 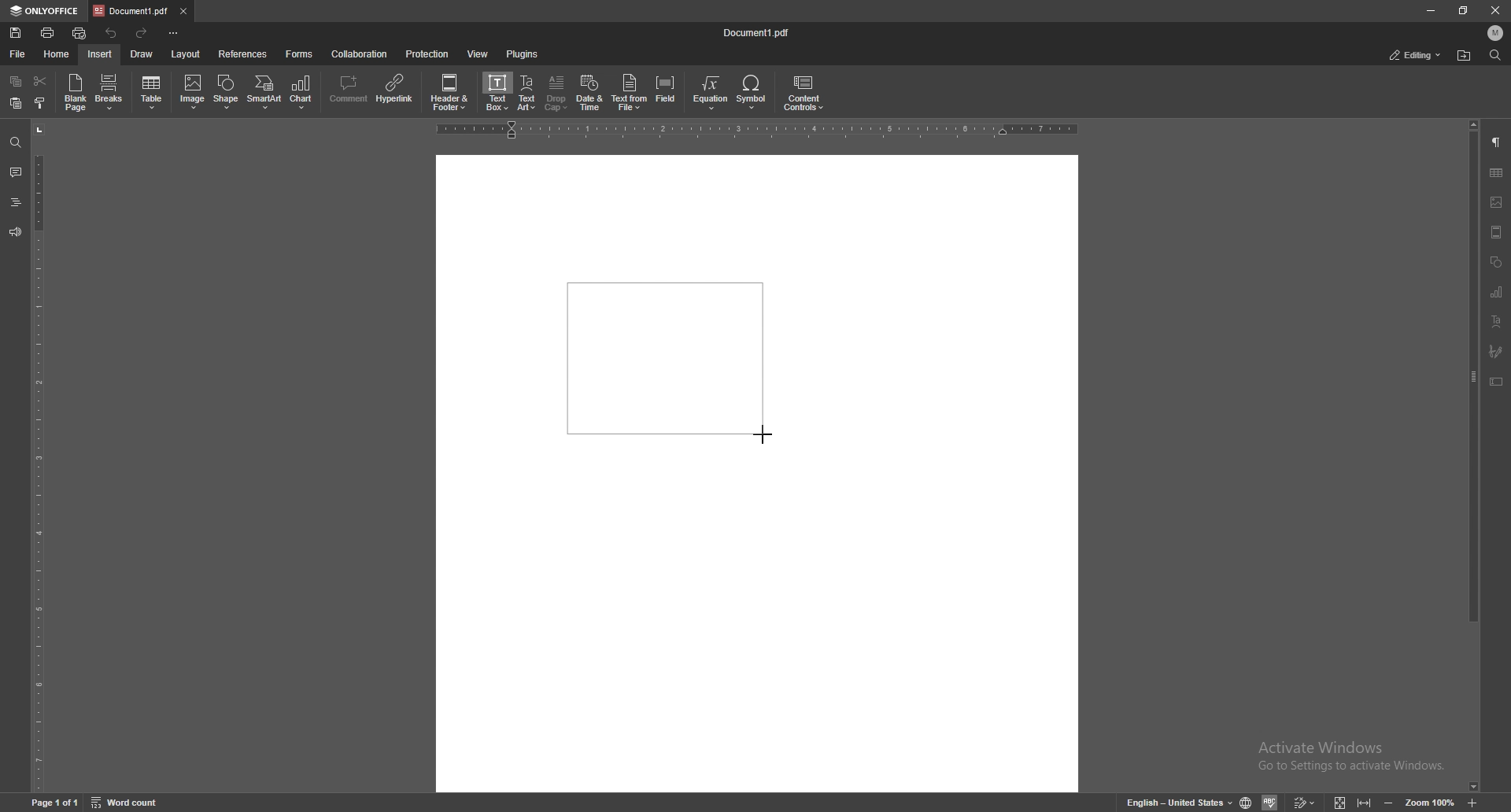 What do you see at coordinates (1496, 33) in the screenshot?
I see `profile` at bounding box center [1496, 33].